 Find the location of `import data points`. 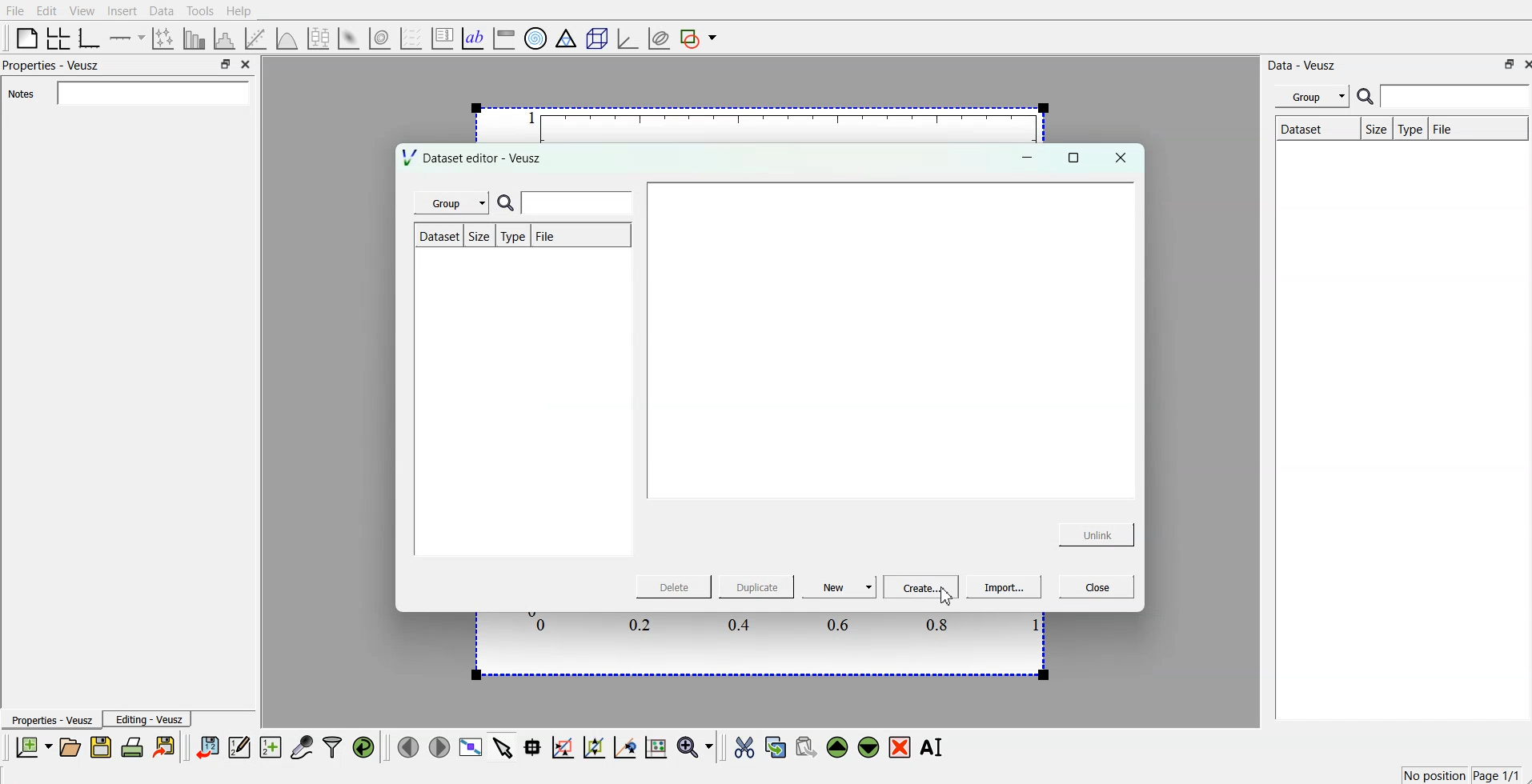

import data points is located at coordinates (208, 748).